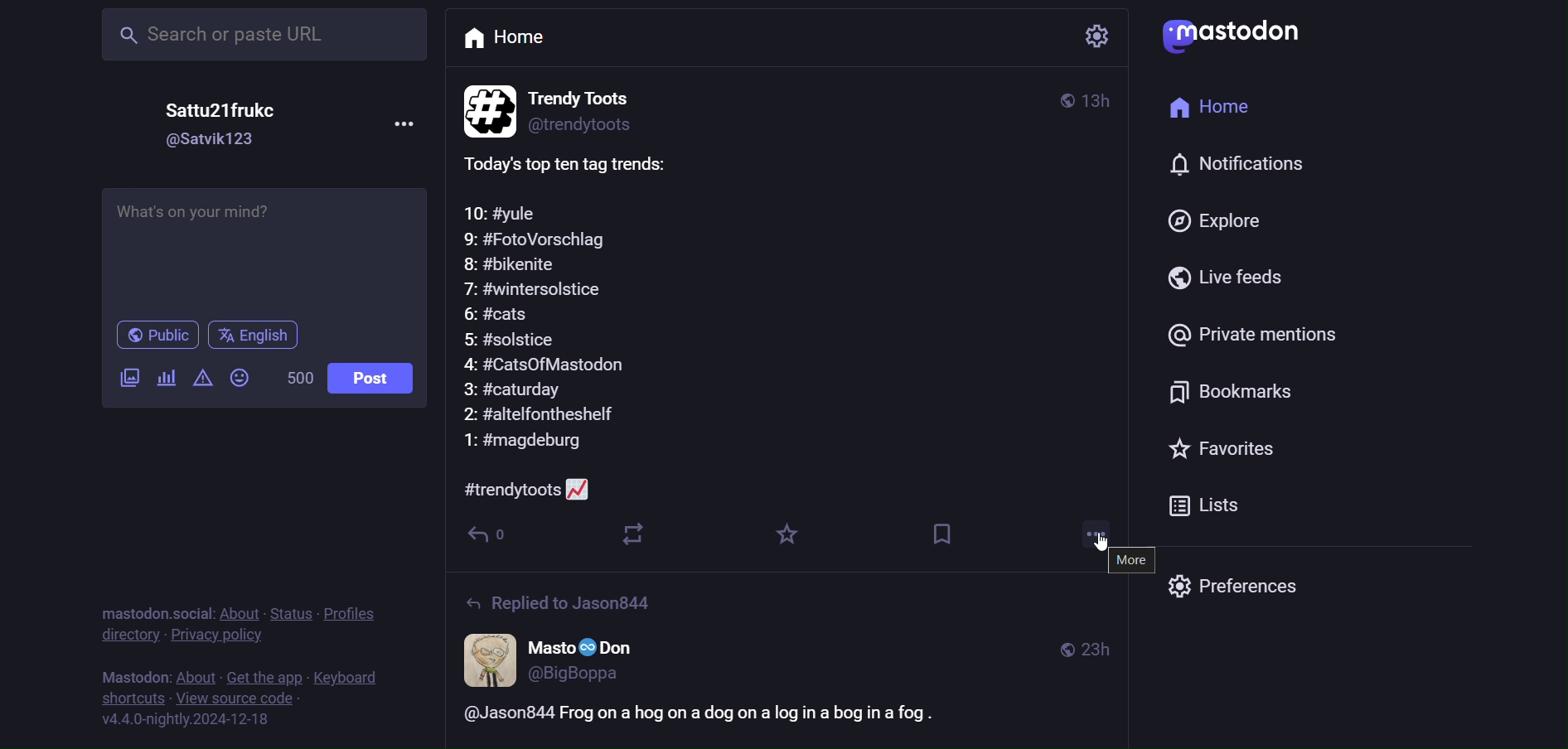 The width and height of the screenshot is (1568, 749). I want to click on more, so click(1127, 563).